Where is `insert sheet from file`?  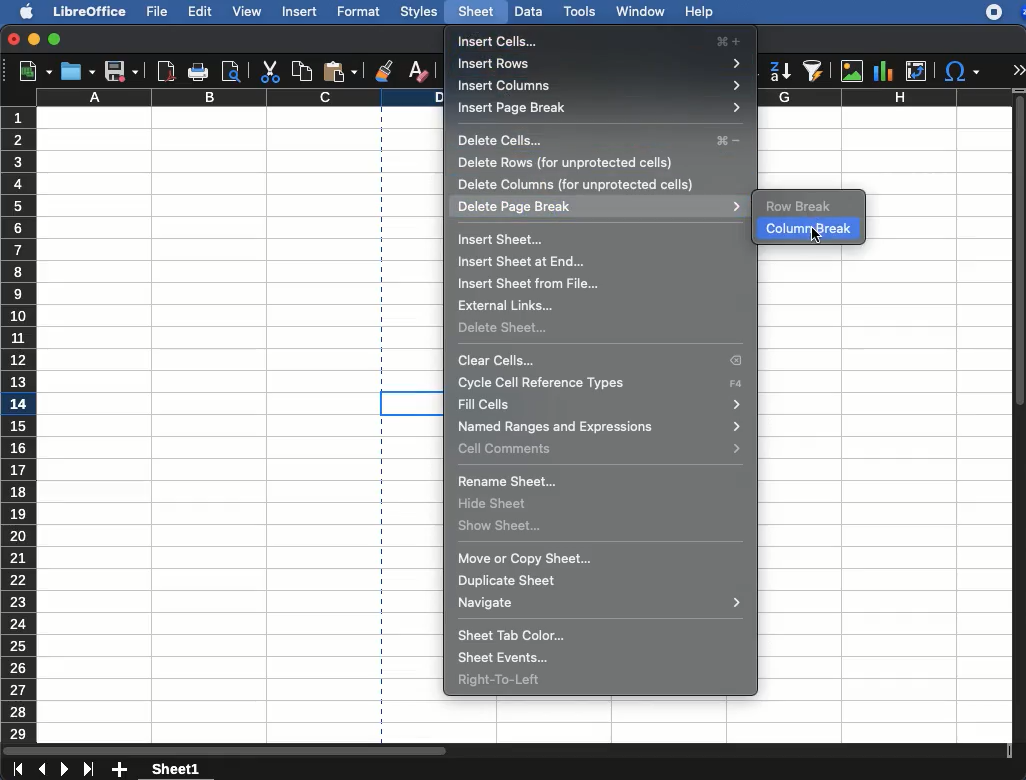
insert sheet from file is located at coordinates (530, 283).